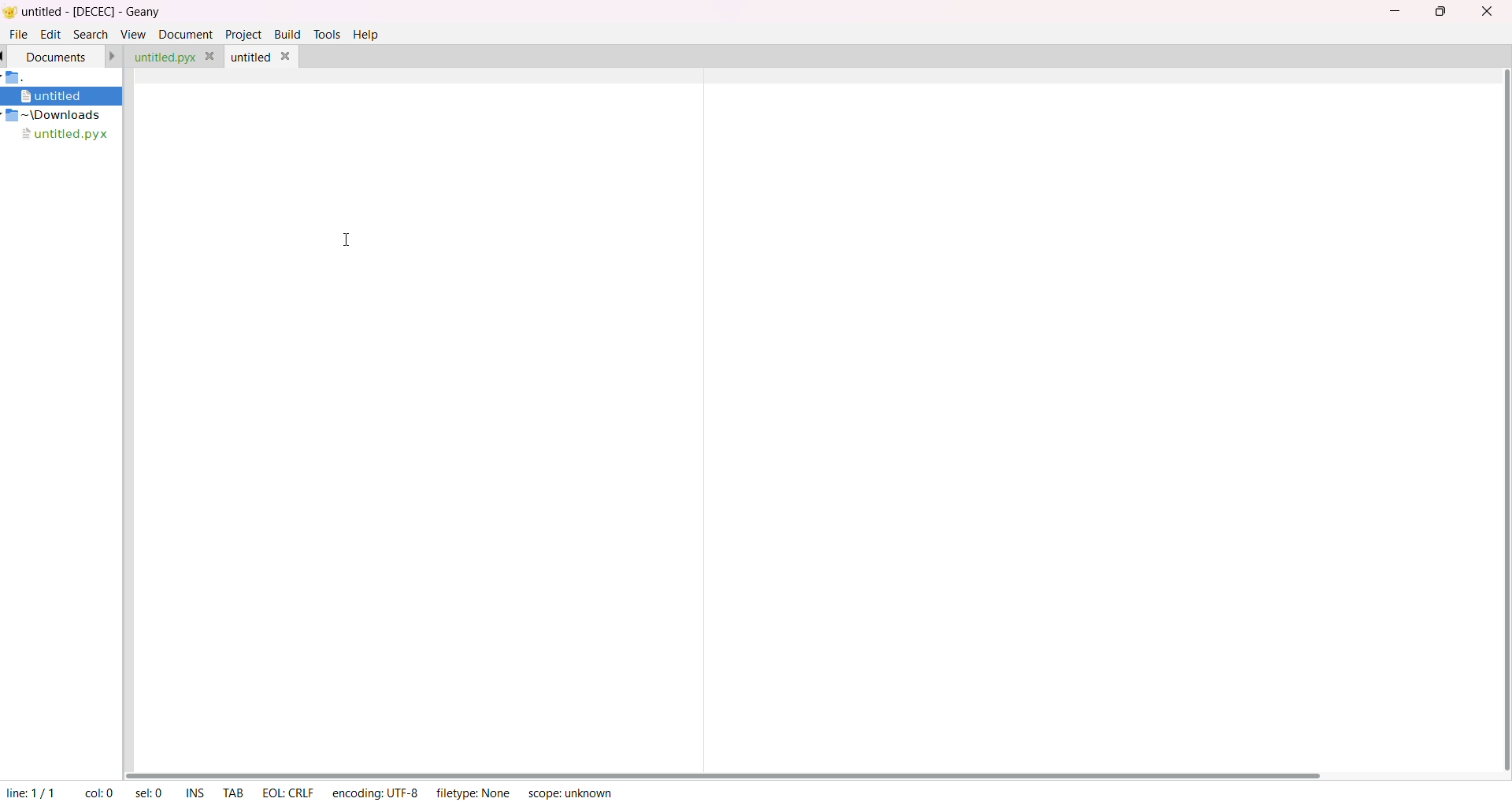 Image resolution: width=1512 pixels, height=802 pixels. I want to click on document, so click(59, 58).